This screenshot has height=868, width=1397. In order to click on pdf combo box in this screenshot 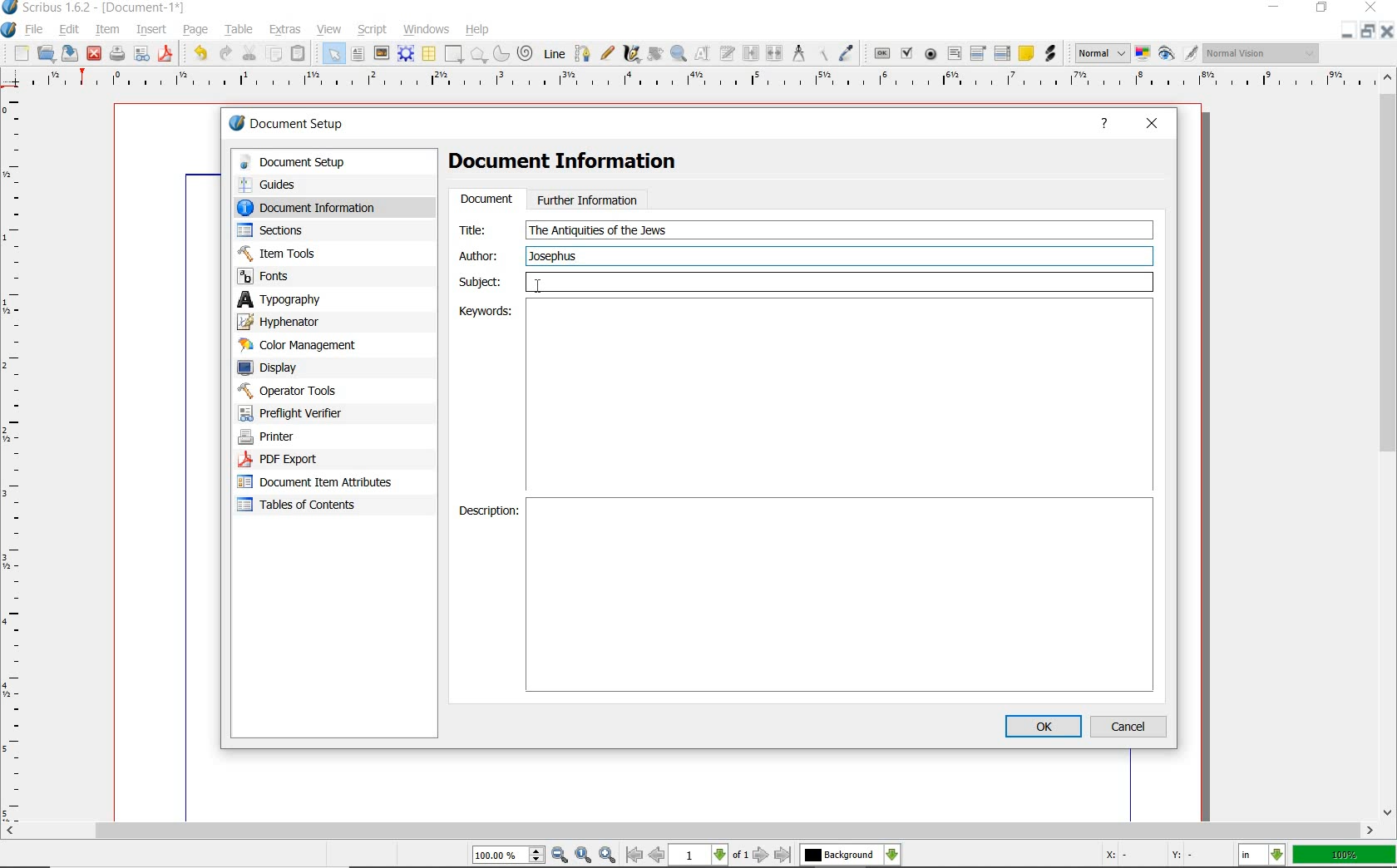, I will do `click(979, 54)`.